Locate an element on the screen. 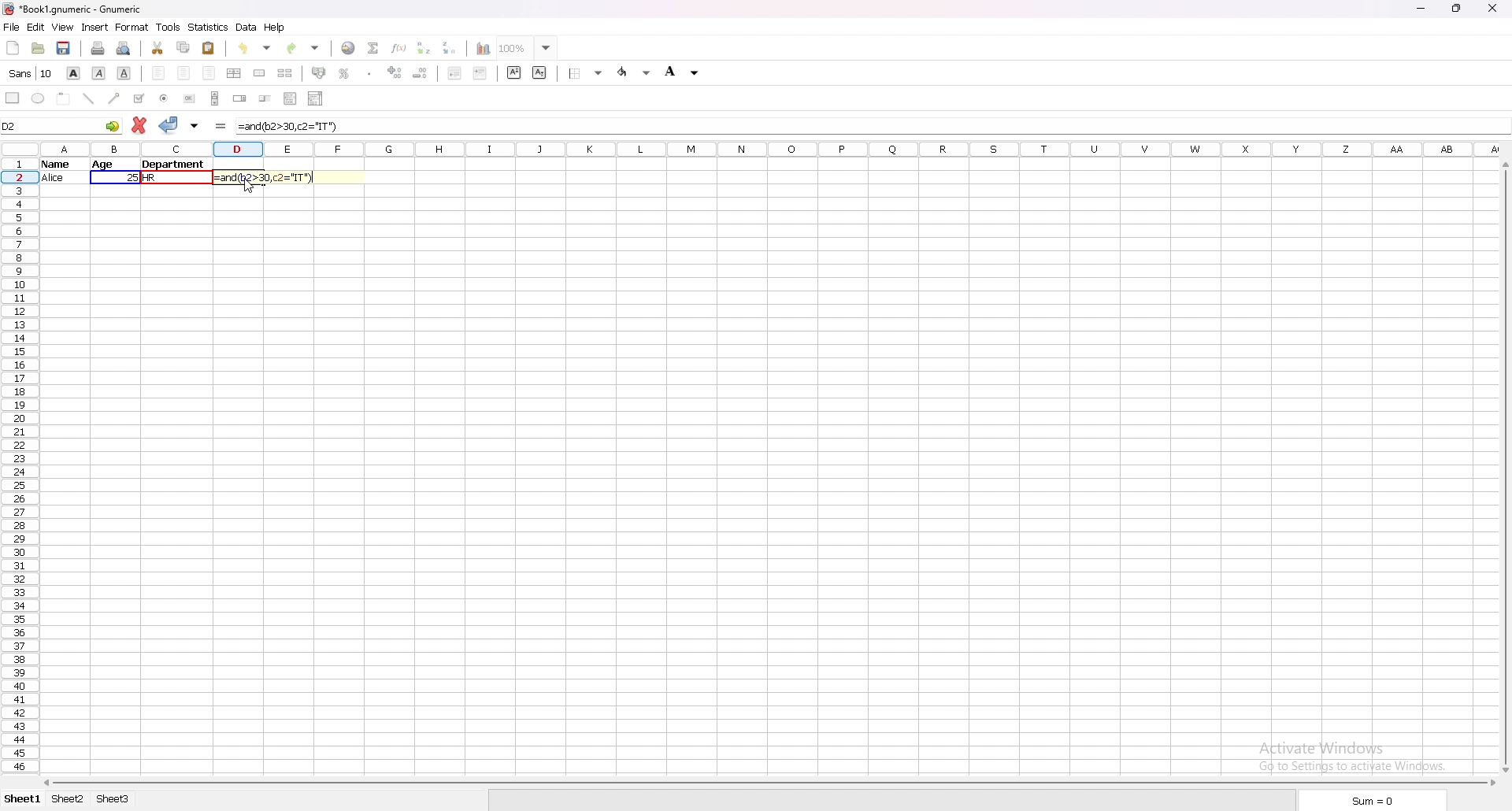  zoom is located at coordinates (528, 48).